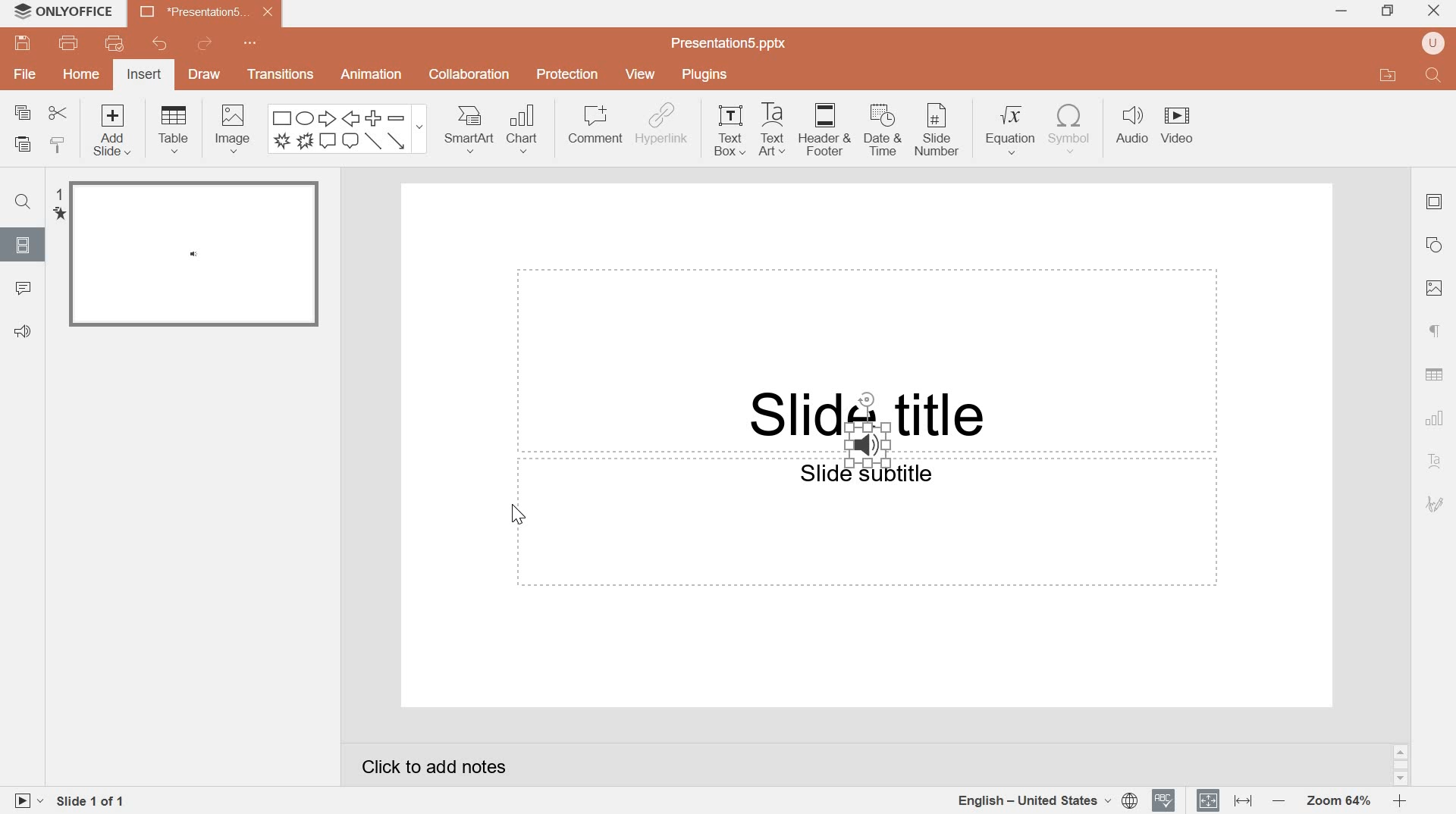 This screenshot has width=1456, height=814. I want to click on scrollbar, so click(1401, 765).